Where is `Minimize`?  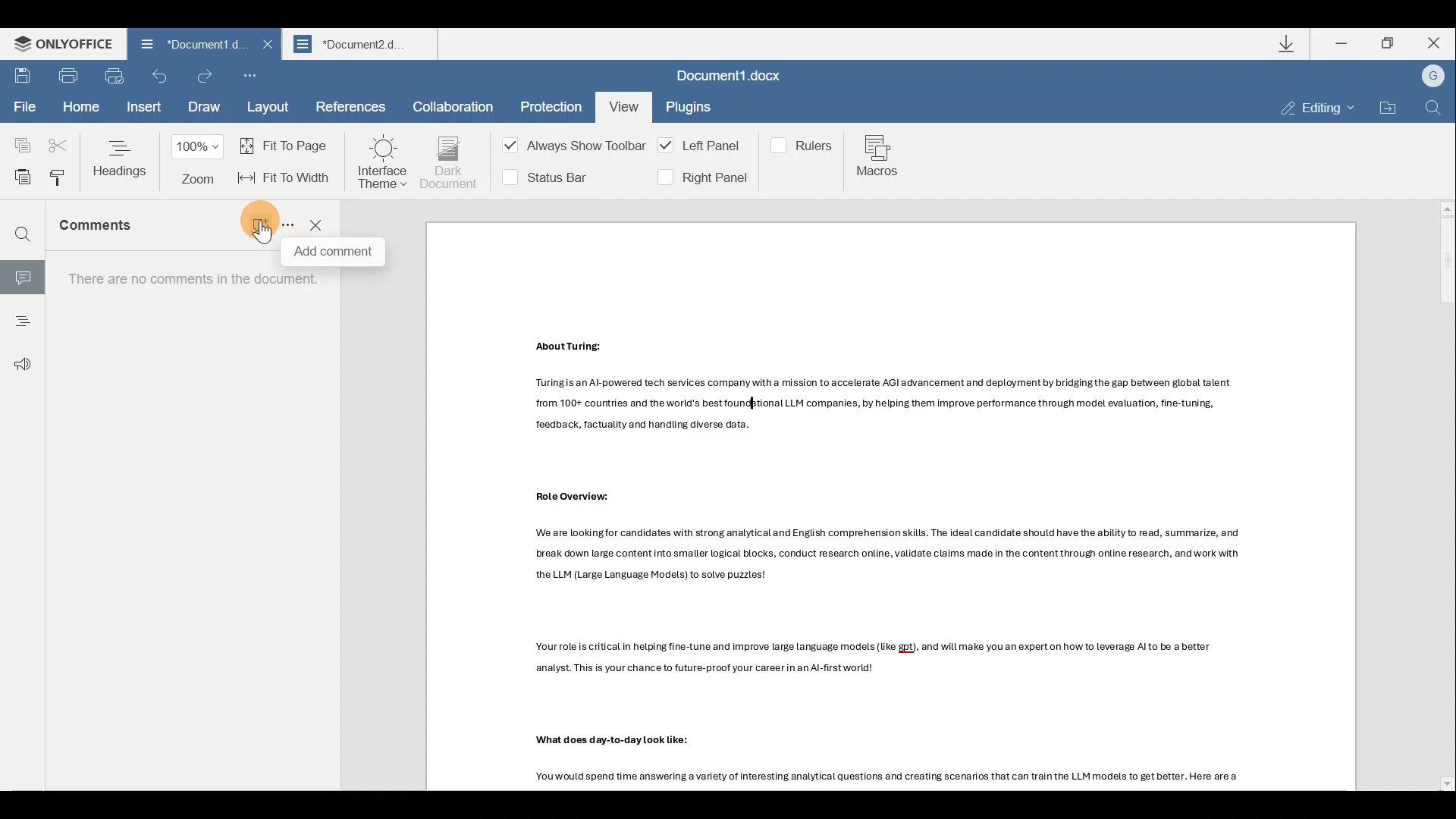
Minimize is located at coordinates (1343, 42).